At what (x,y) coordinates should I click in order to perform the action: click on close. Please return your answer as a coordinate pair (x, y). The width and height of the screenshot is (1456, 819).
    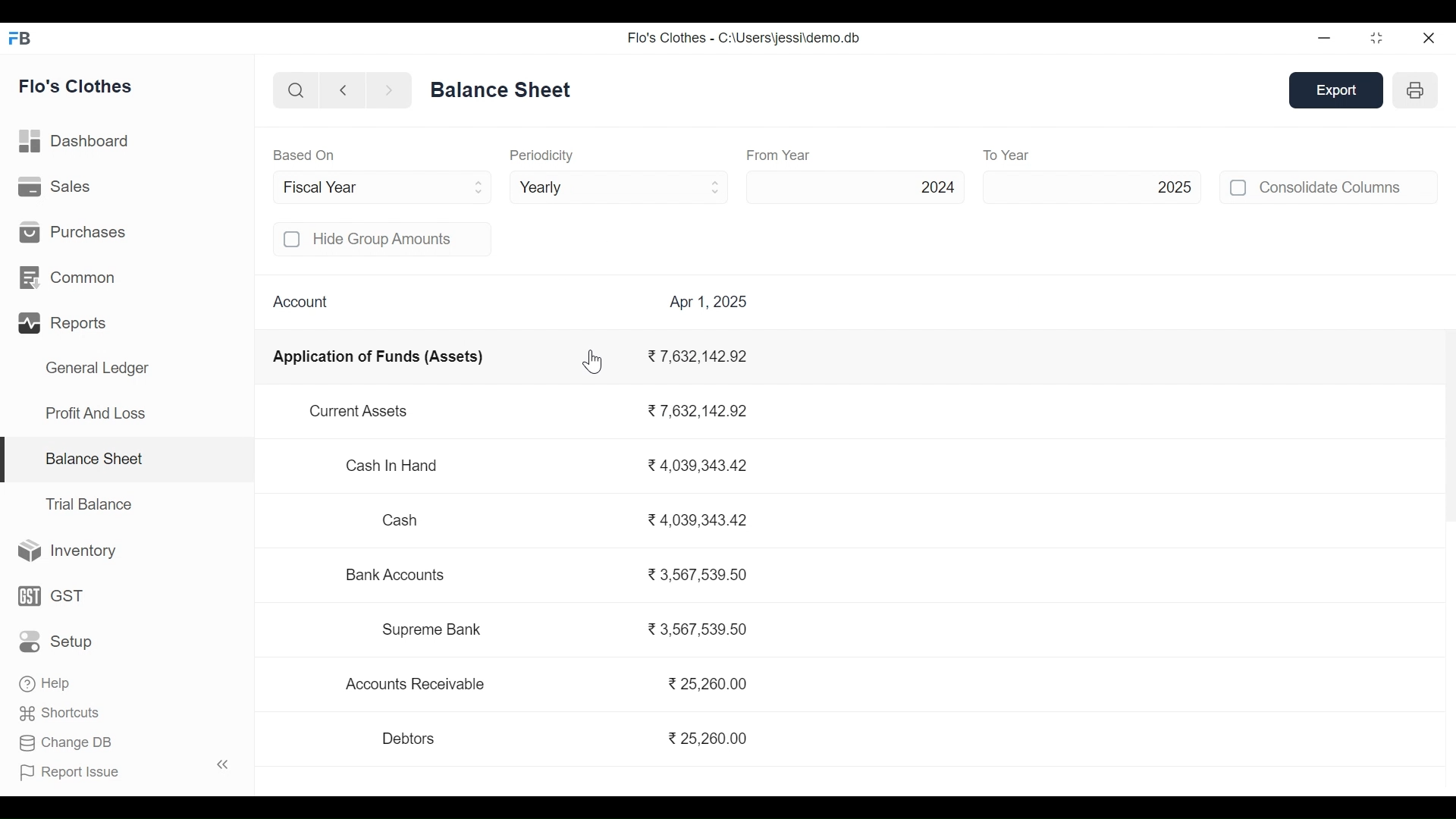
    Looking at the image, I should click on (1430, 37).